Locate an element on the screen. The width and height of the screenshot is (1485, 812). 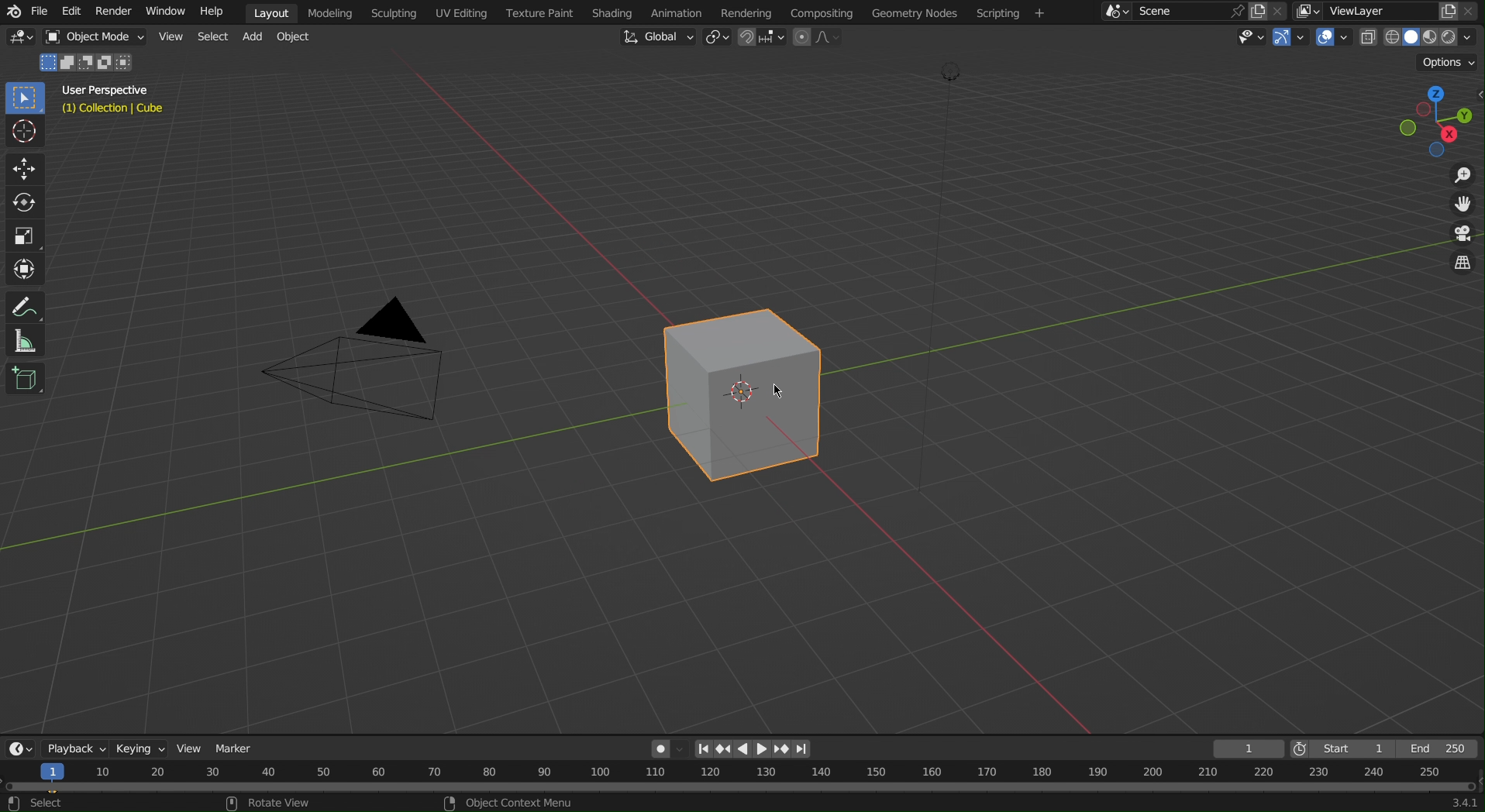
pin is located at coordinates (1235, 10).